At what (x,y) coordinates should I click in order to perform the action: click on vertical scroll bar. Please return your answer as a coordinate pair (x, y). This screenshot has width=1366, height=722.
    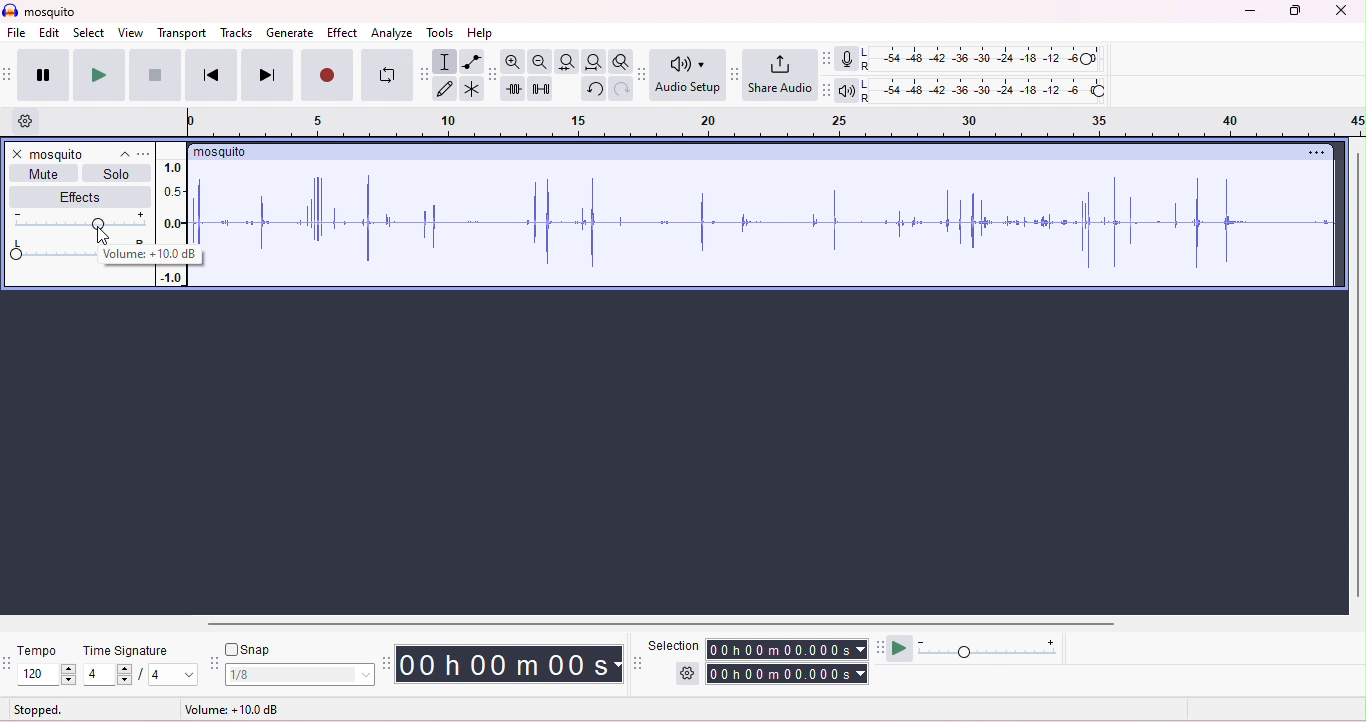
    Looking at the image, I should click on (1357, 378).